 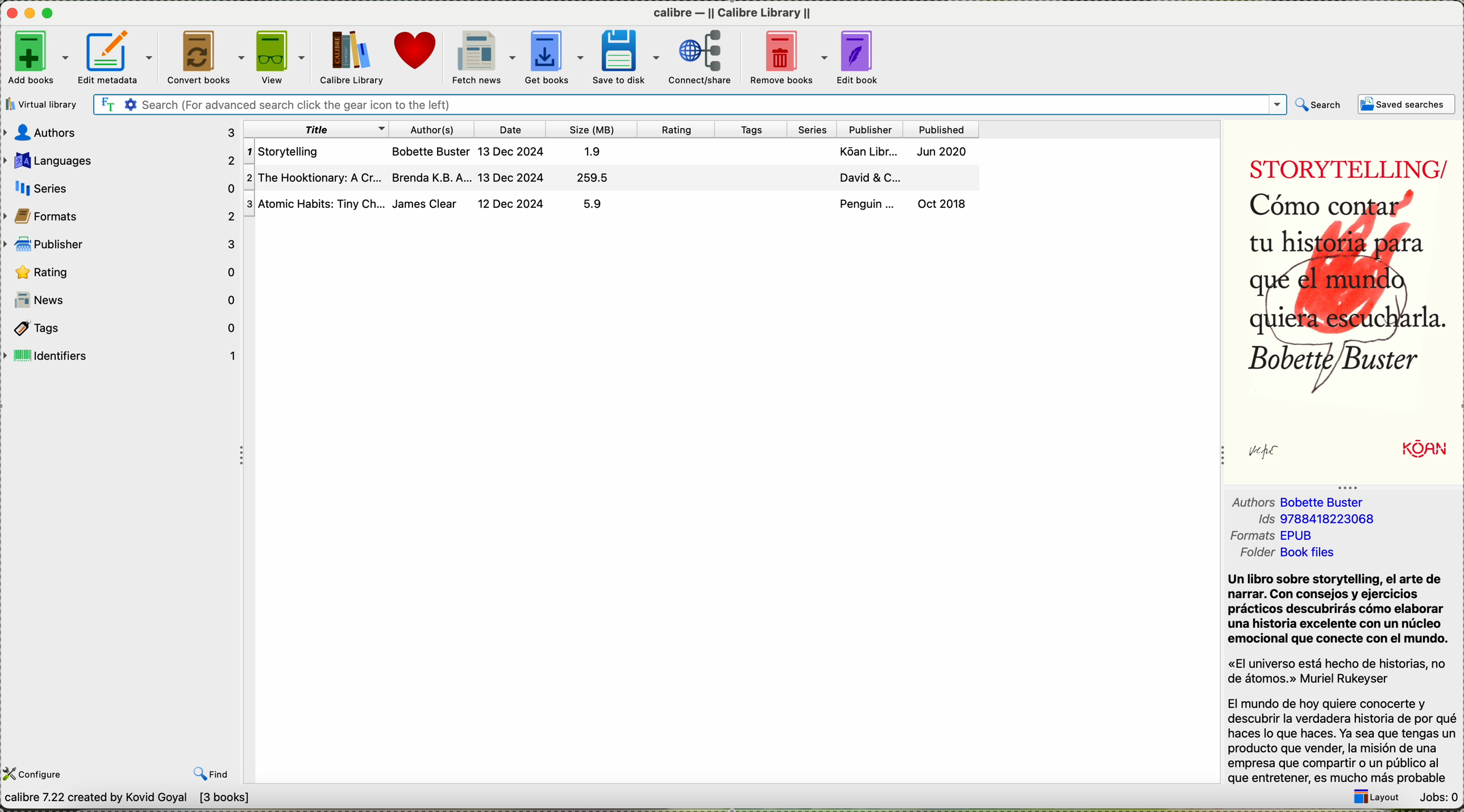 I want to click on search, so click(x=1319, y=105).